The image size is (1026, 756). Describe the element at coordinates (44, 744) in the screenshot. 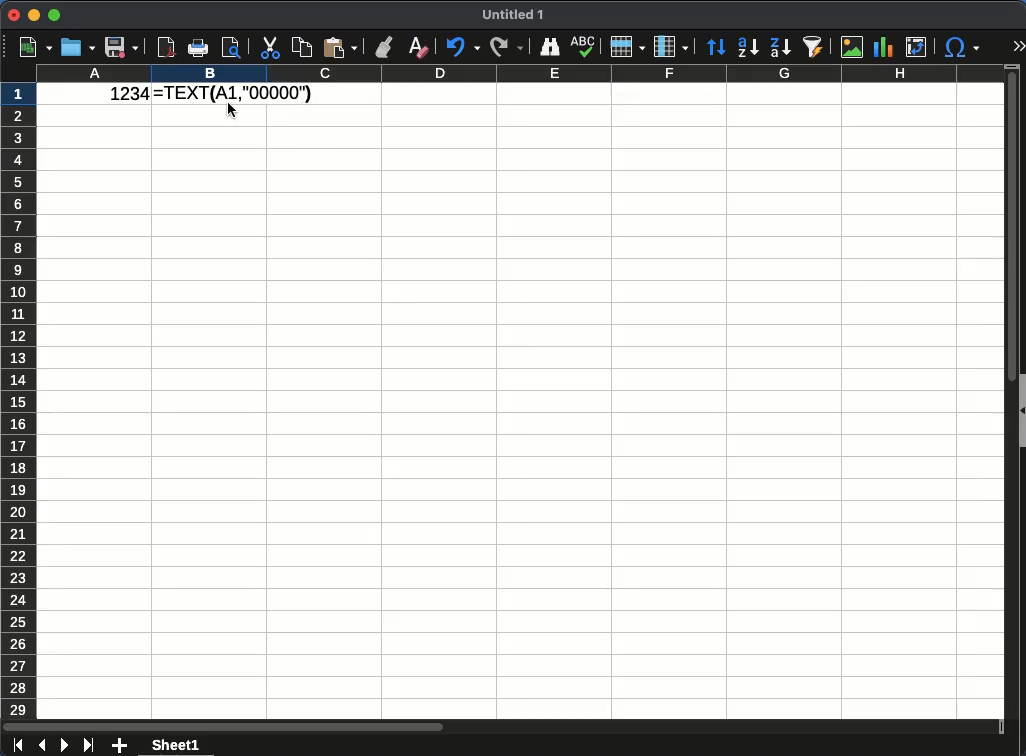

I see `previous sheet` at that location.